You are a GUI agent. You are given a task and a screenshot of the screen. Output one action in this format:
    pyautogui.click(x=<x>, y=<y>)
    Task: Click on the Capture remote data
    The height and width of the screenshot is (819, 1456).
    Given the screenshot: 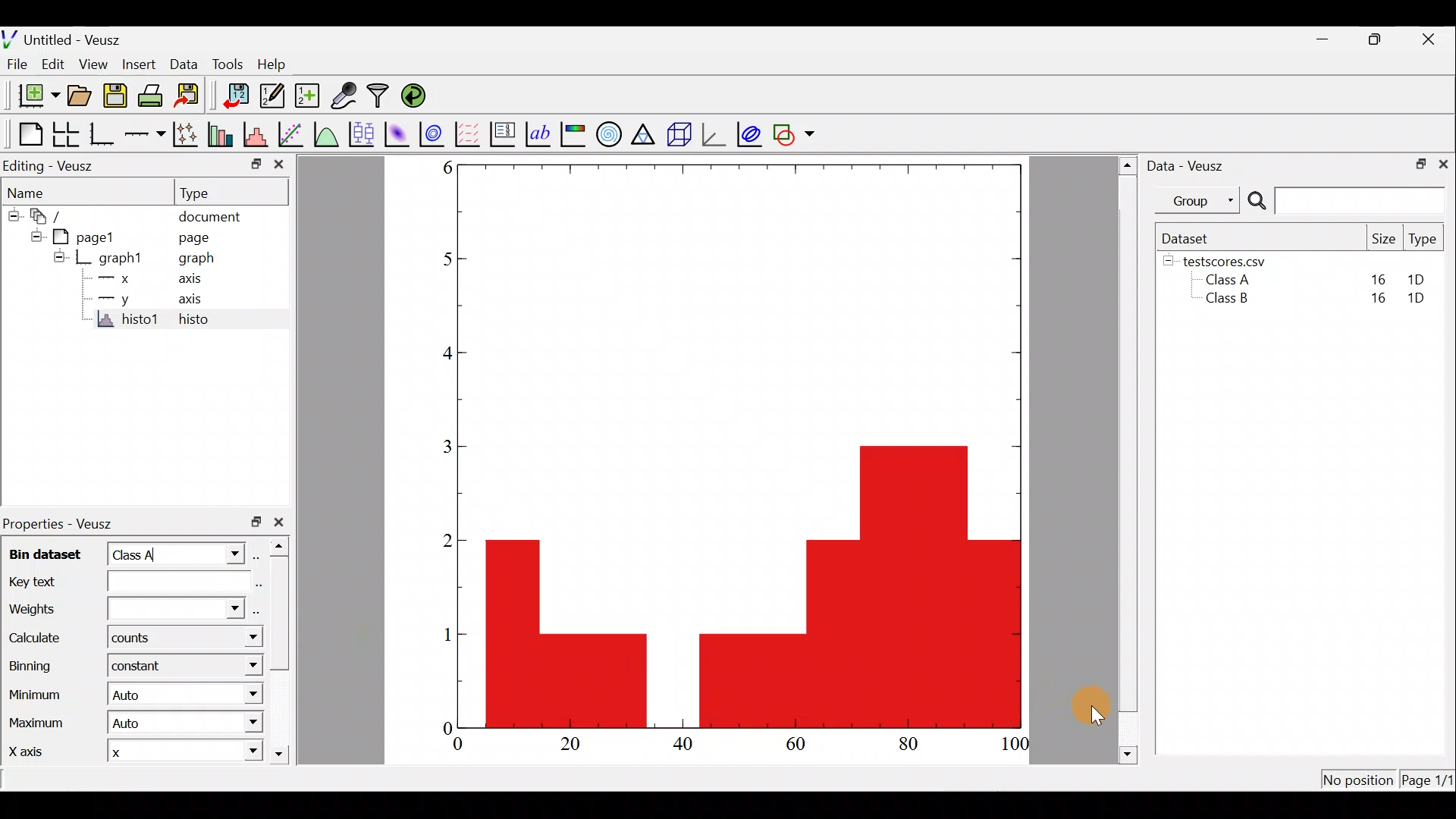 What is the action you would take?
    pyautogui.click(x=346, y=96)
    